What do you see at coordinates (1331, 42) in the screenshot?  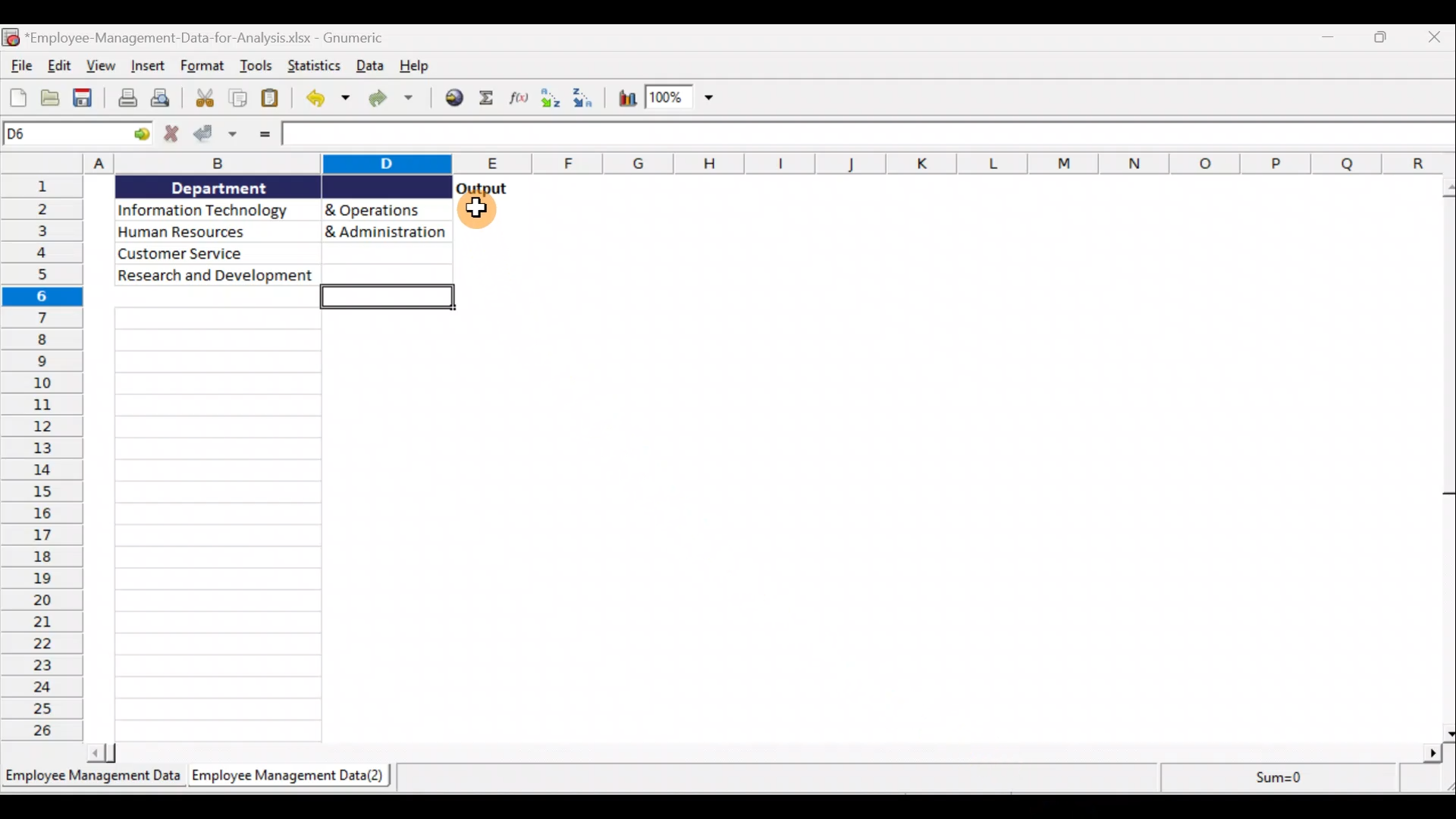 I see `Minimise` at bounding box center [1331, 42].